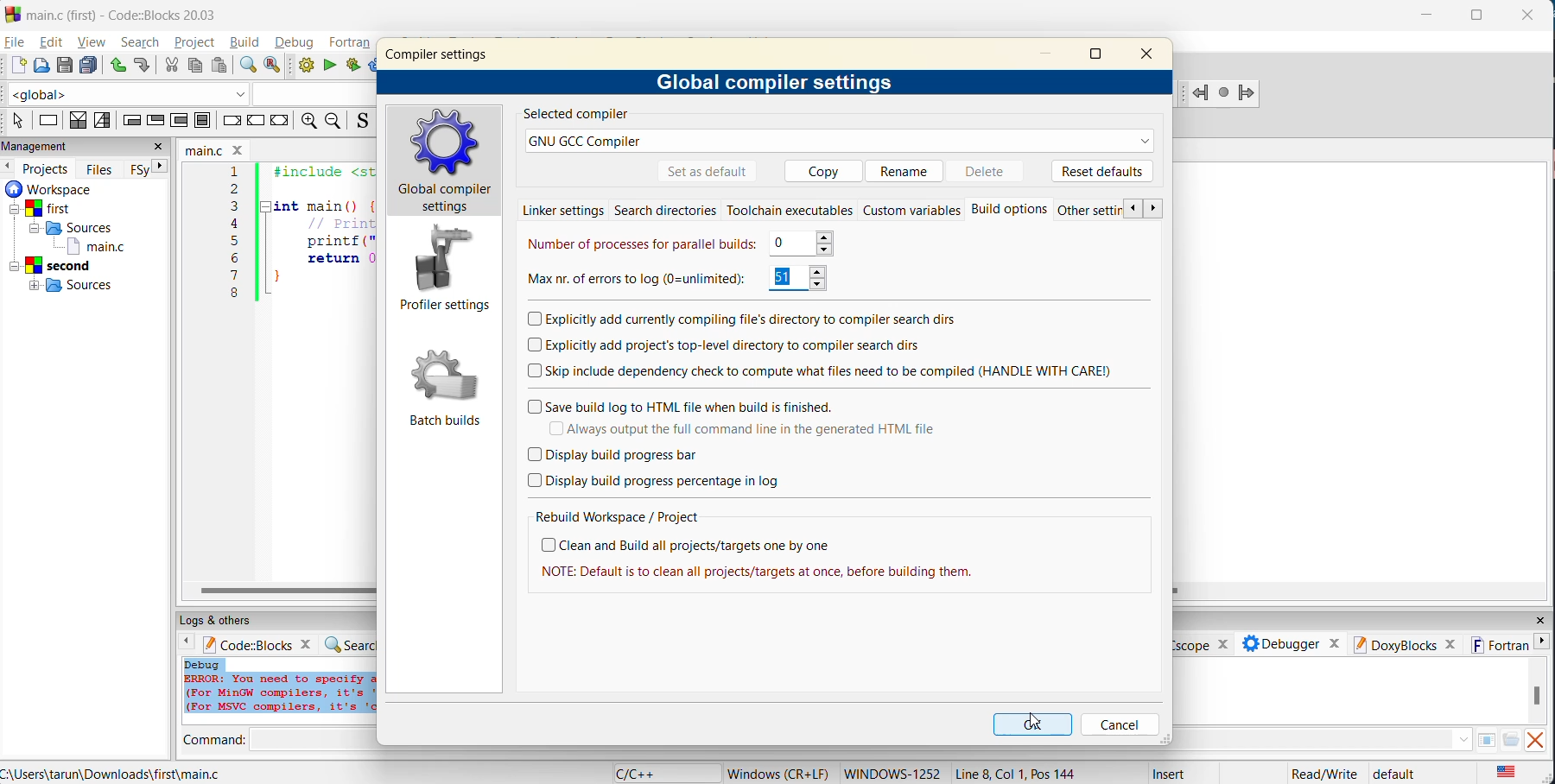  Describe the element at coordinates (665, 210) in the screenshot. I see `search directories` at that location.